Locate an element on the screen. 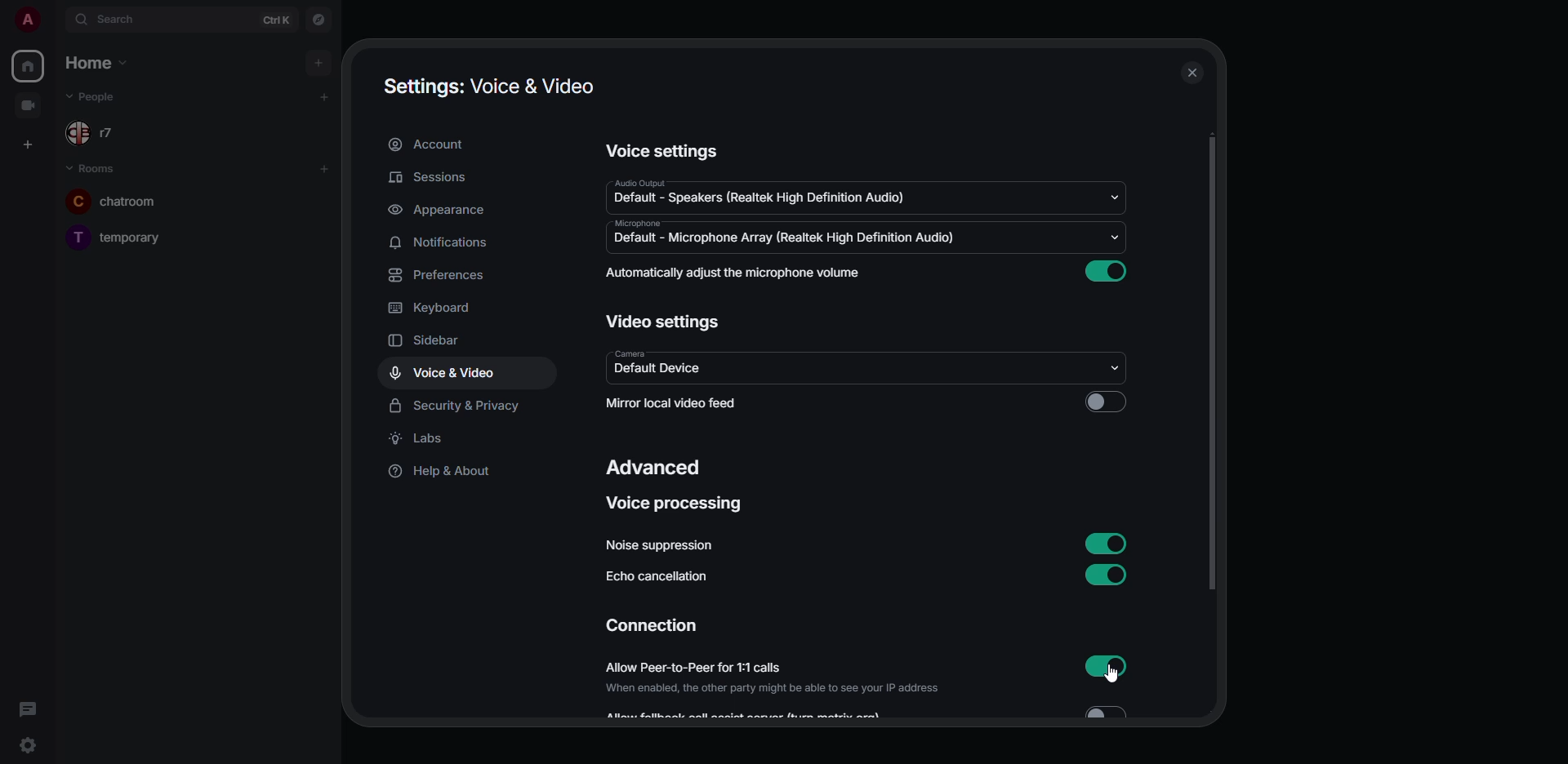 This screenshot has width=1568, height=764. drop down is located at coordinates (1120, 366).